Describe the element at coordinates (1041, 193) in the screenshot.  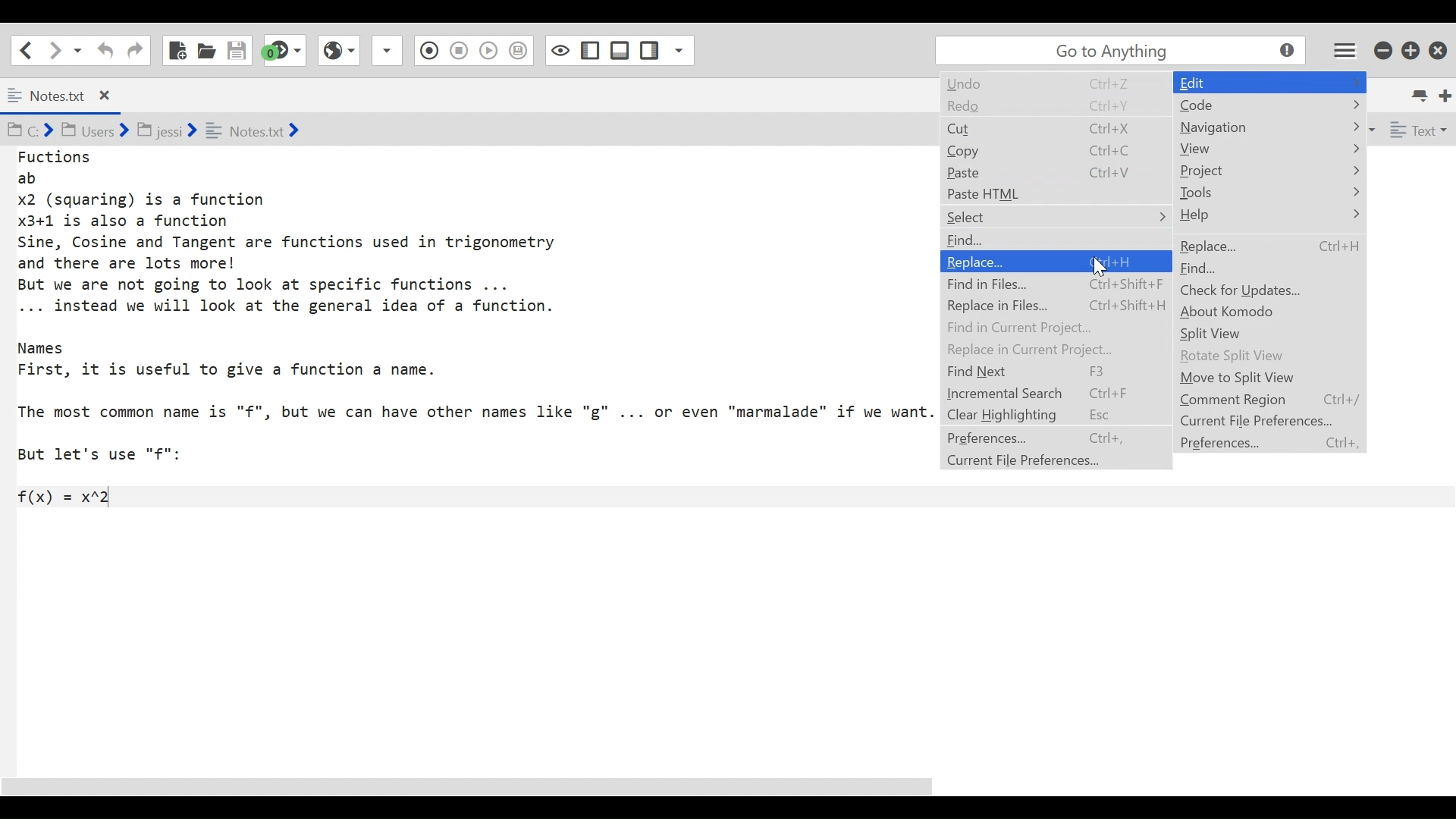
I see `Paste HTML` at that location.